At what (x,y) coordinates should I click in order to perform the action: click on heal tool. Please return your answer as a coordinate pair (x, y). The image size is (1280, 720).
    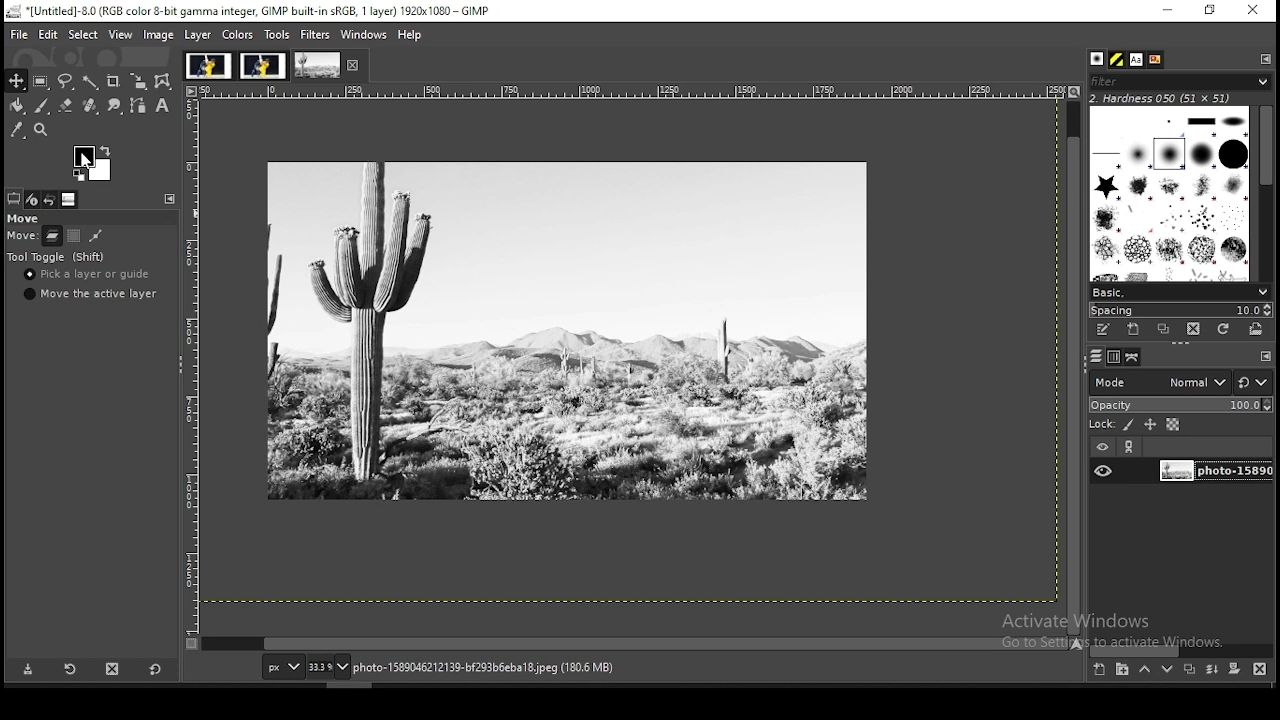
    Looking at the image, I should click on (93, 105).